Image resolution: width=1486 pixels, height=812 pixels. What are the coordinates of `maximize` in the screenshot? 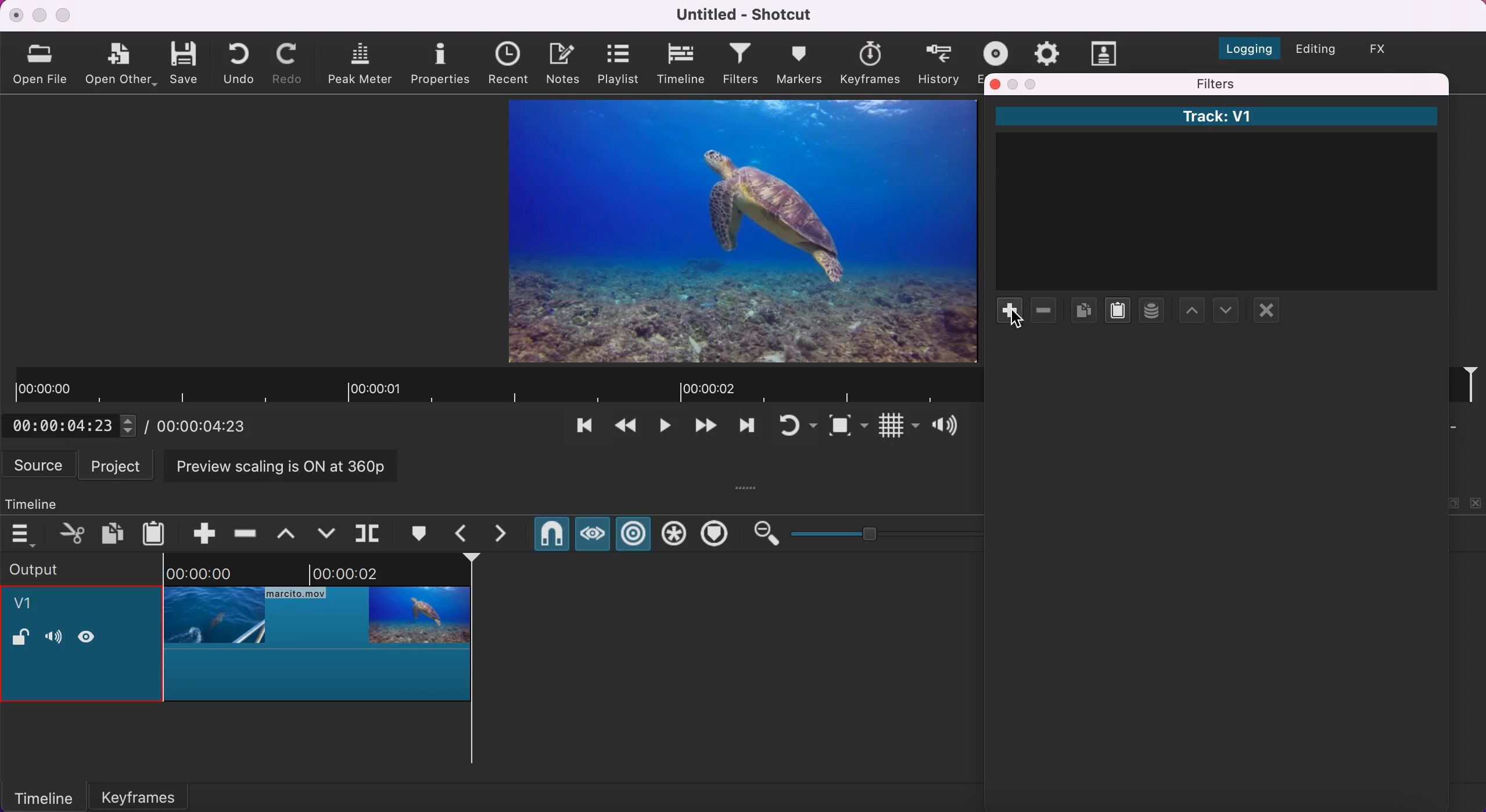 It's located at (1033, 84).